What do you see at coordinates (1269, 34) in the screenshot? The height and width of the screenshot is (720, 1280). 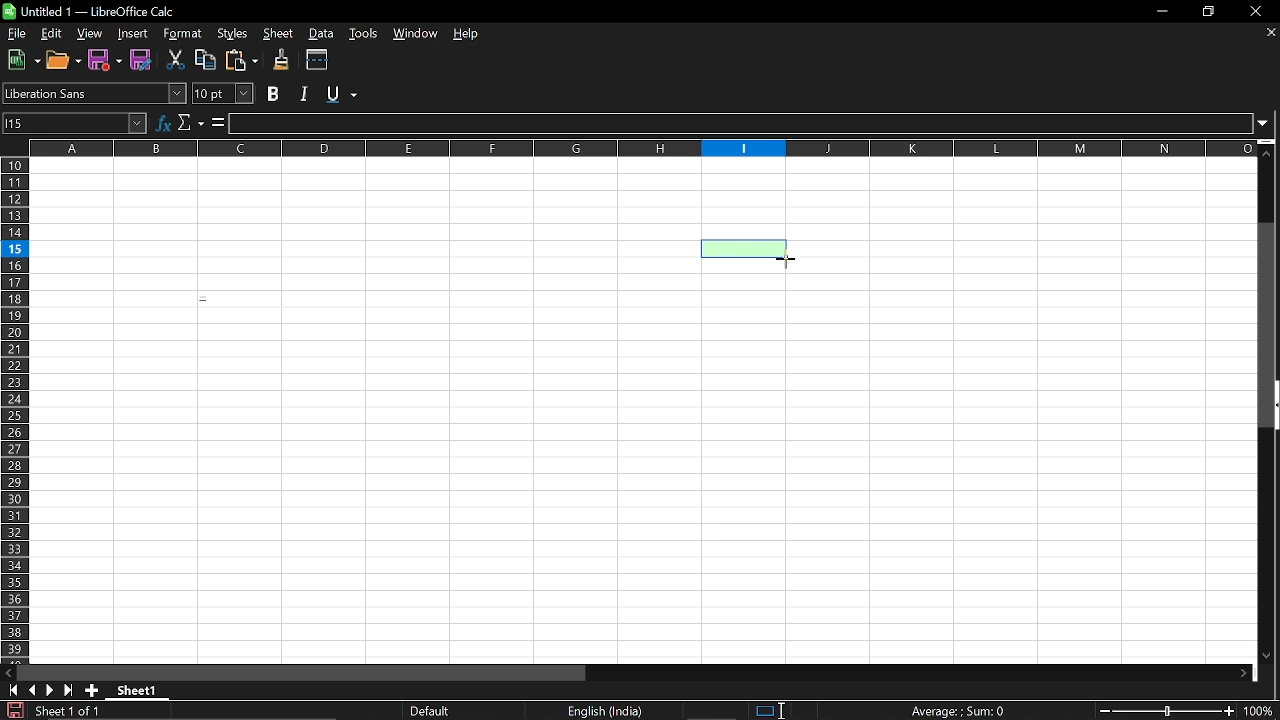 I see `Close sheets` at bounding box center [1269, 34].